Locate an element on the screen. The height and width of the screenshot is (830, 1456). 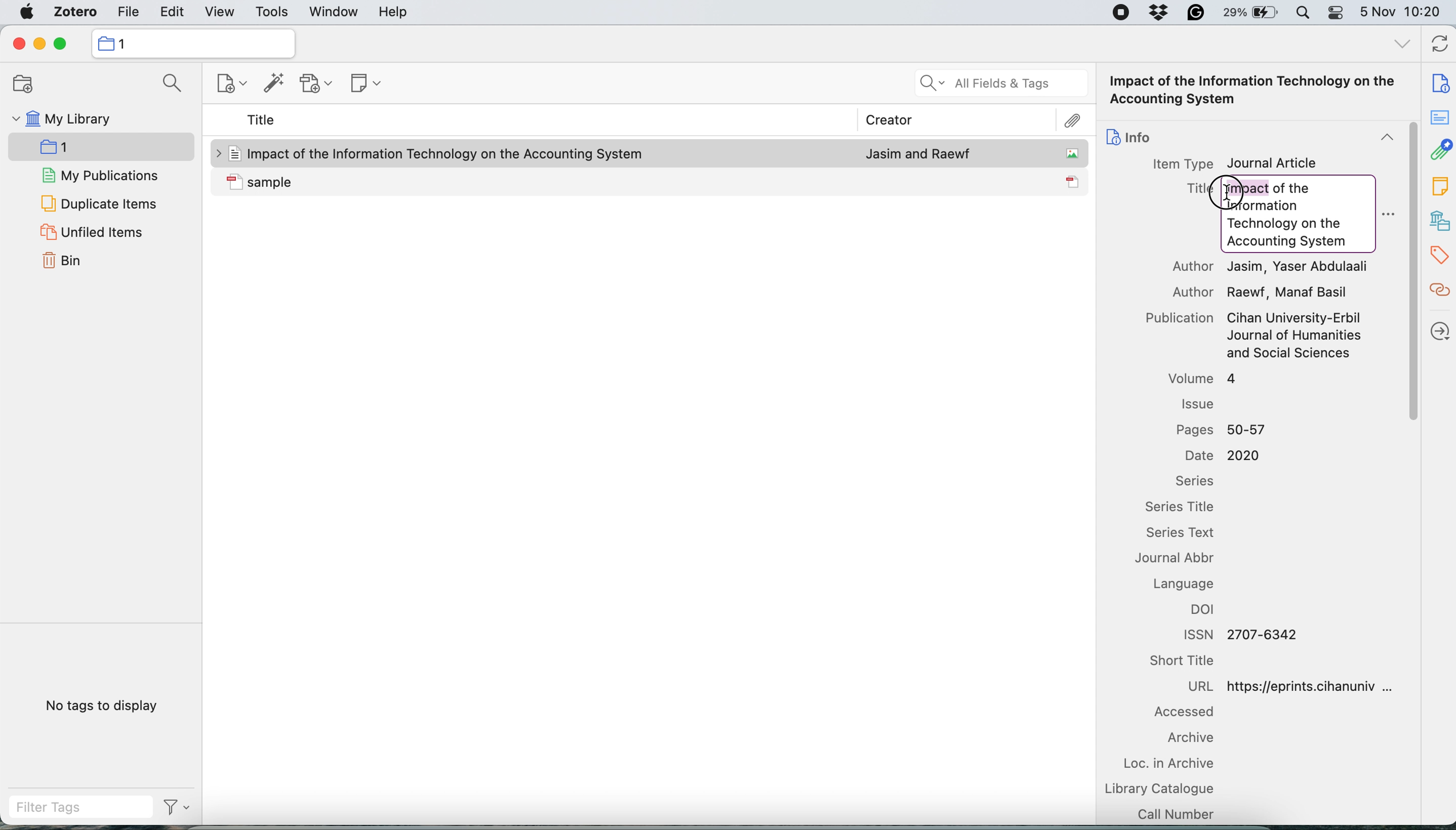
collection is located at coordinates (125, 44).